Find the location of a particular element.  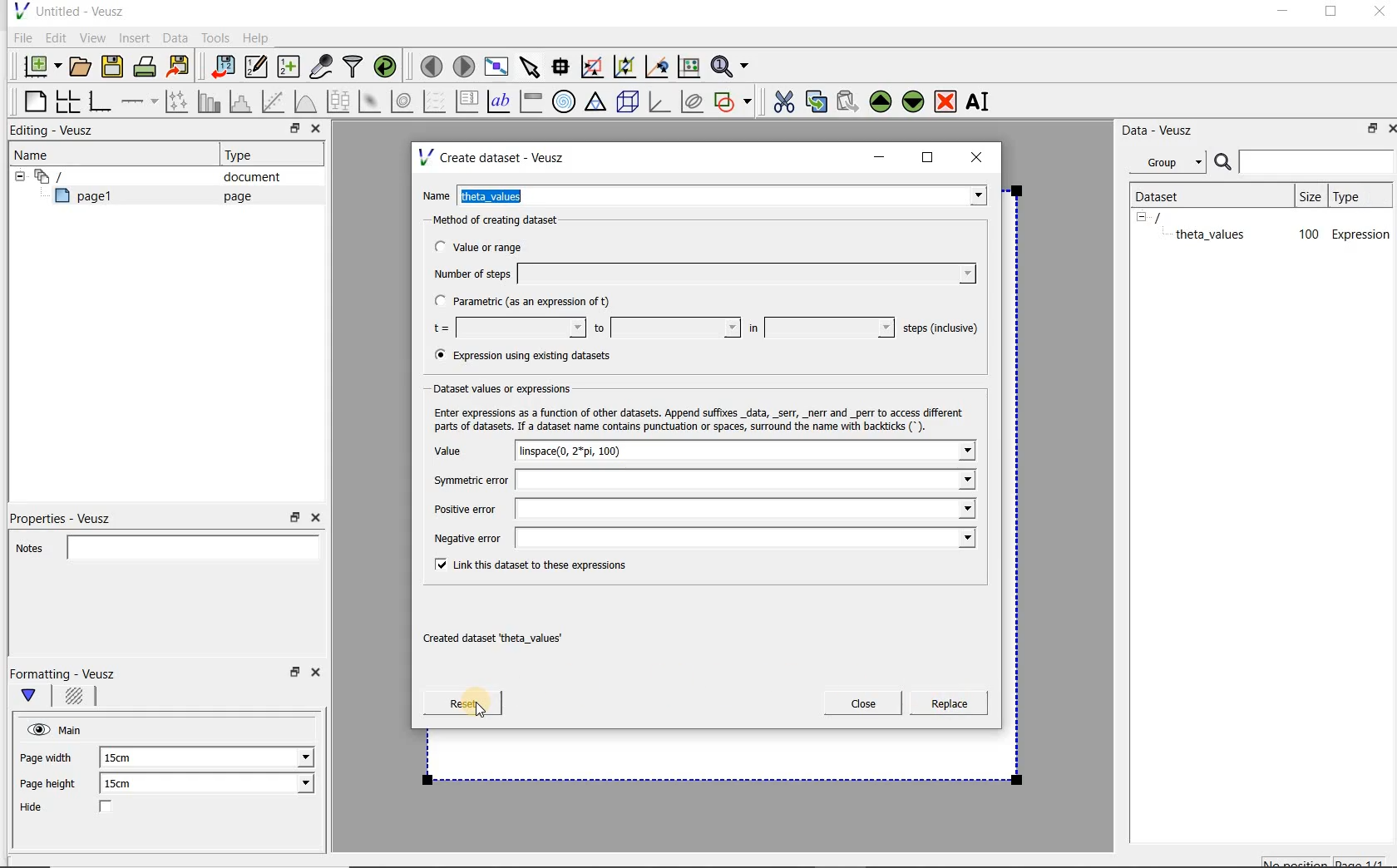

Created dataset ‘theta_values' is located at coordinates (496, 639).